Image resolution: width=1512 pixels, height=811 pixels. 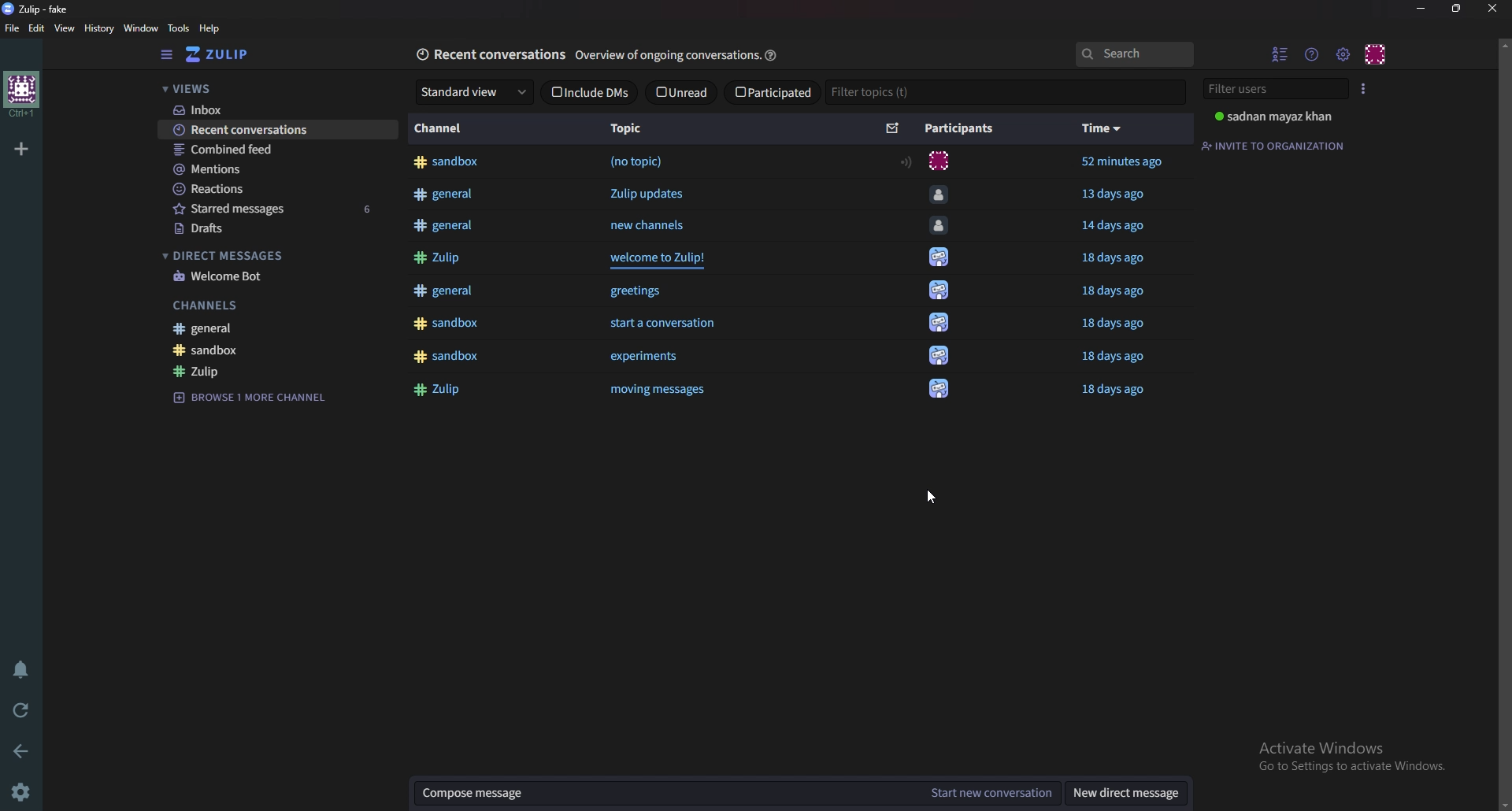 I want to click on # Zulip, so click(x=443, y=391).